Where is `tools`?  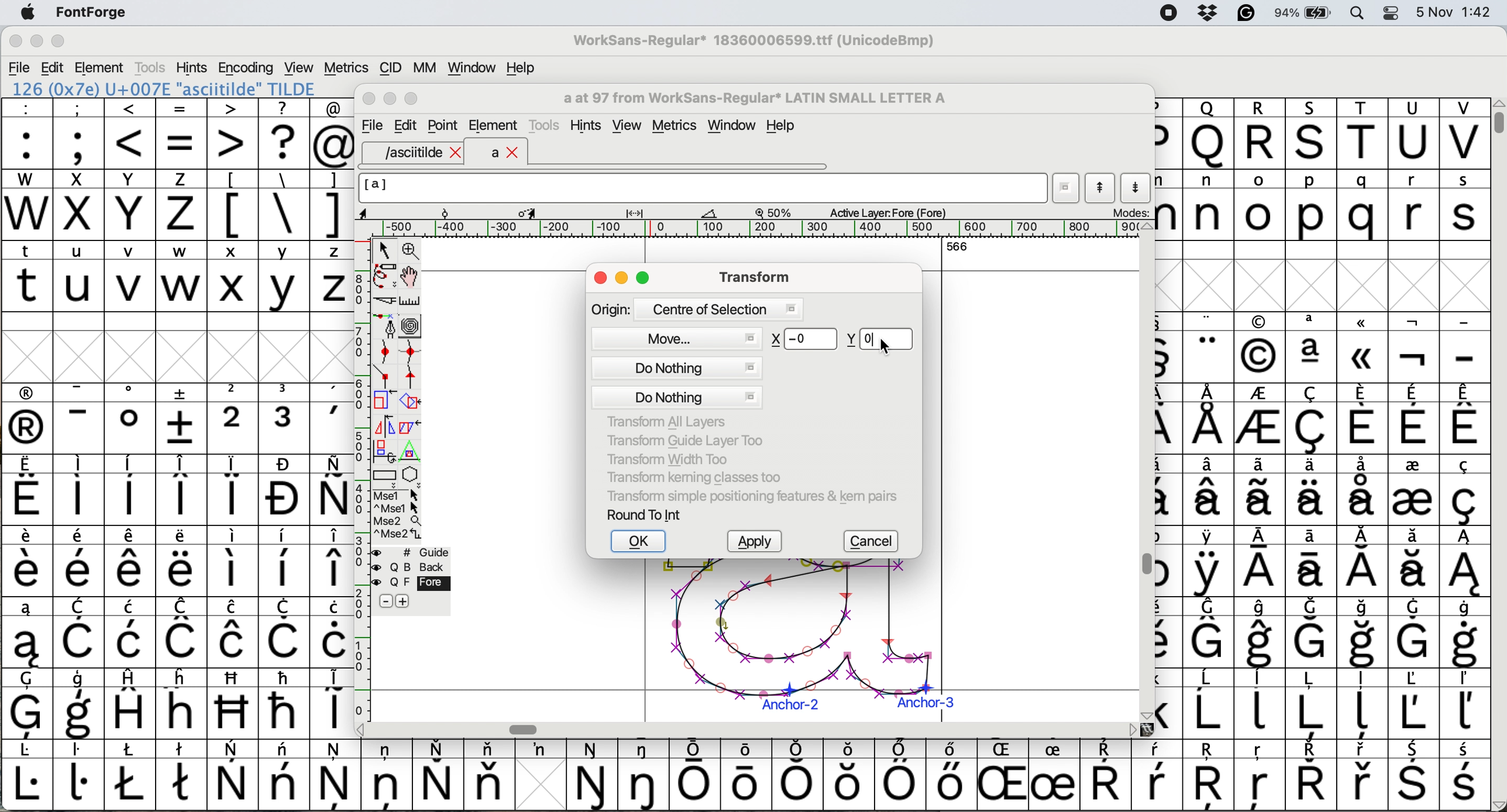 tools is located at coordinates (149, 67).